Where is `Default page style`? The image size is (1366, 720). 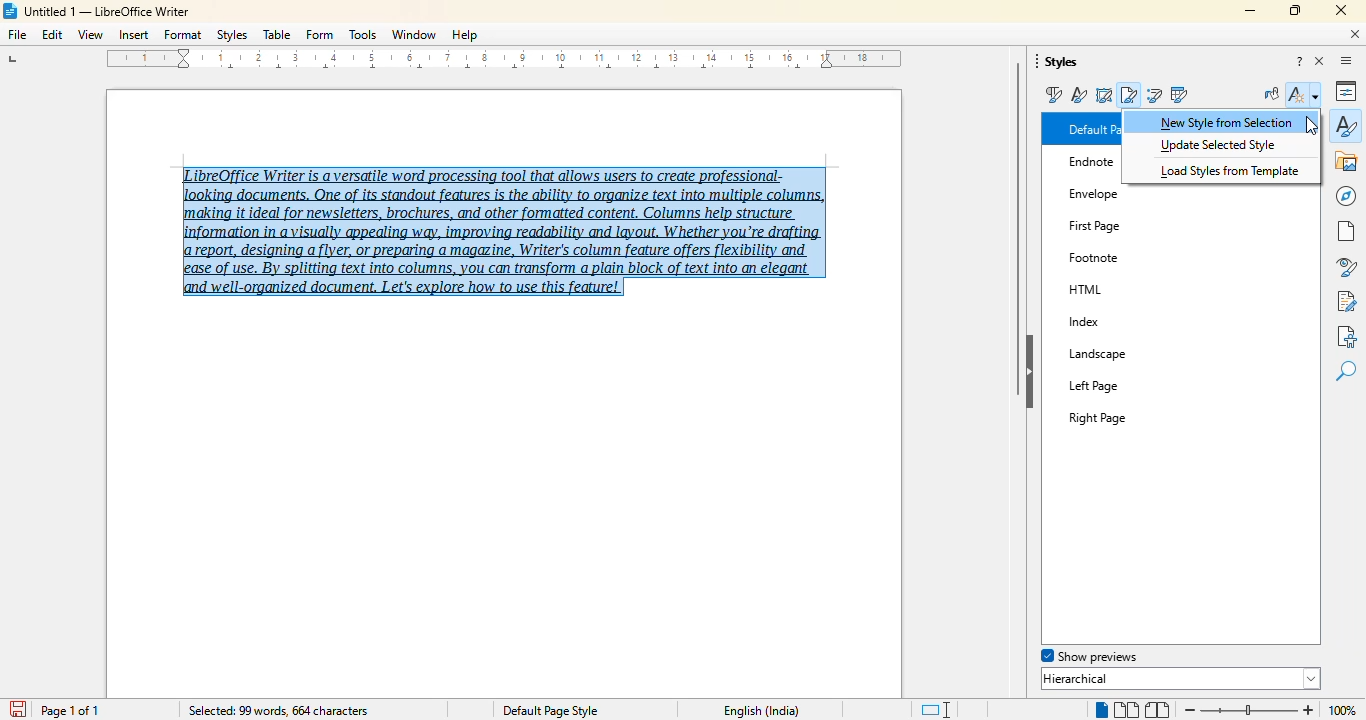
Default page style is located at coordinates (550, 710).